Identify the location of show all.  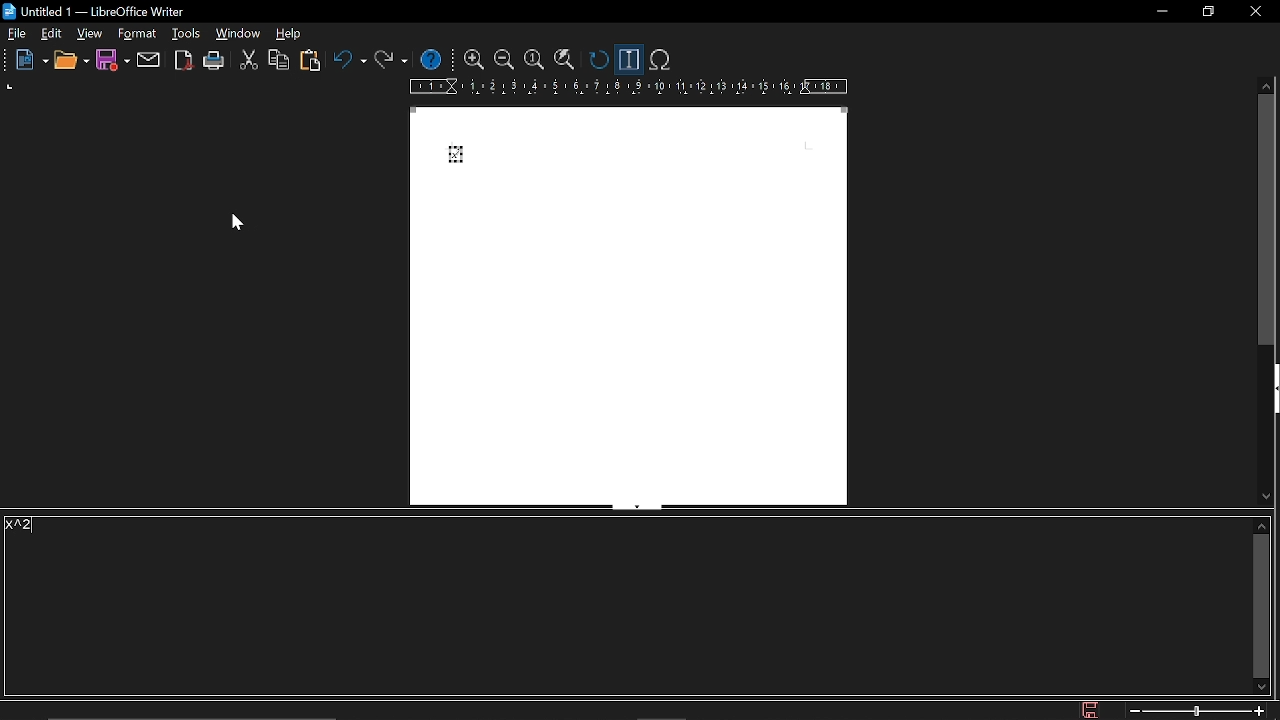
(563, 61).